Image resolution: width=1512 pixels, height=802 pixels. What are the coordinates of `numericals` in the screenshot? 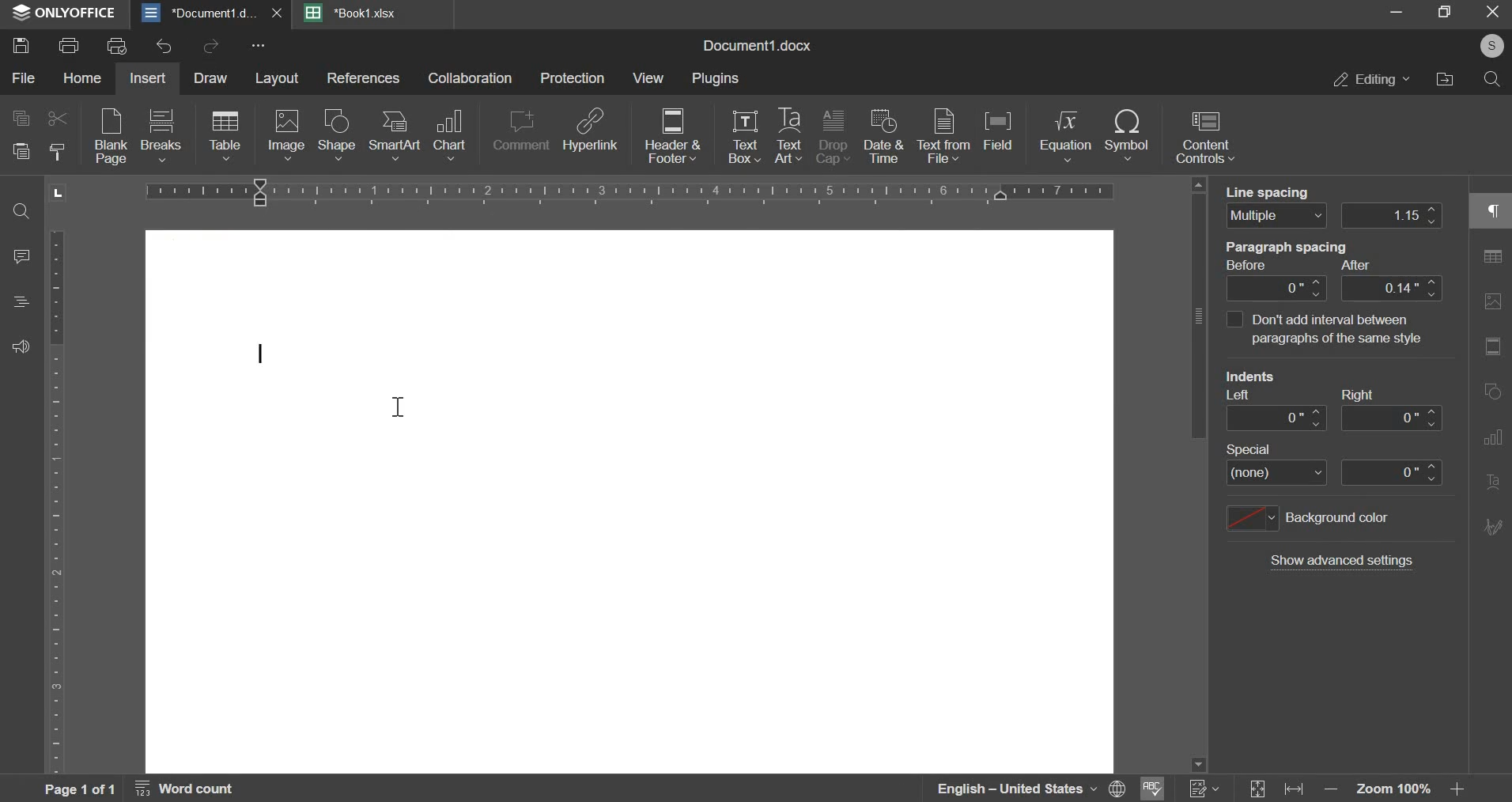 It's located at (1204, 785).